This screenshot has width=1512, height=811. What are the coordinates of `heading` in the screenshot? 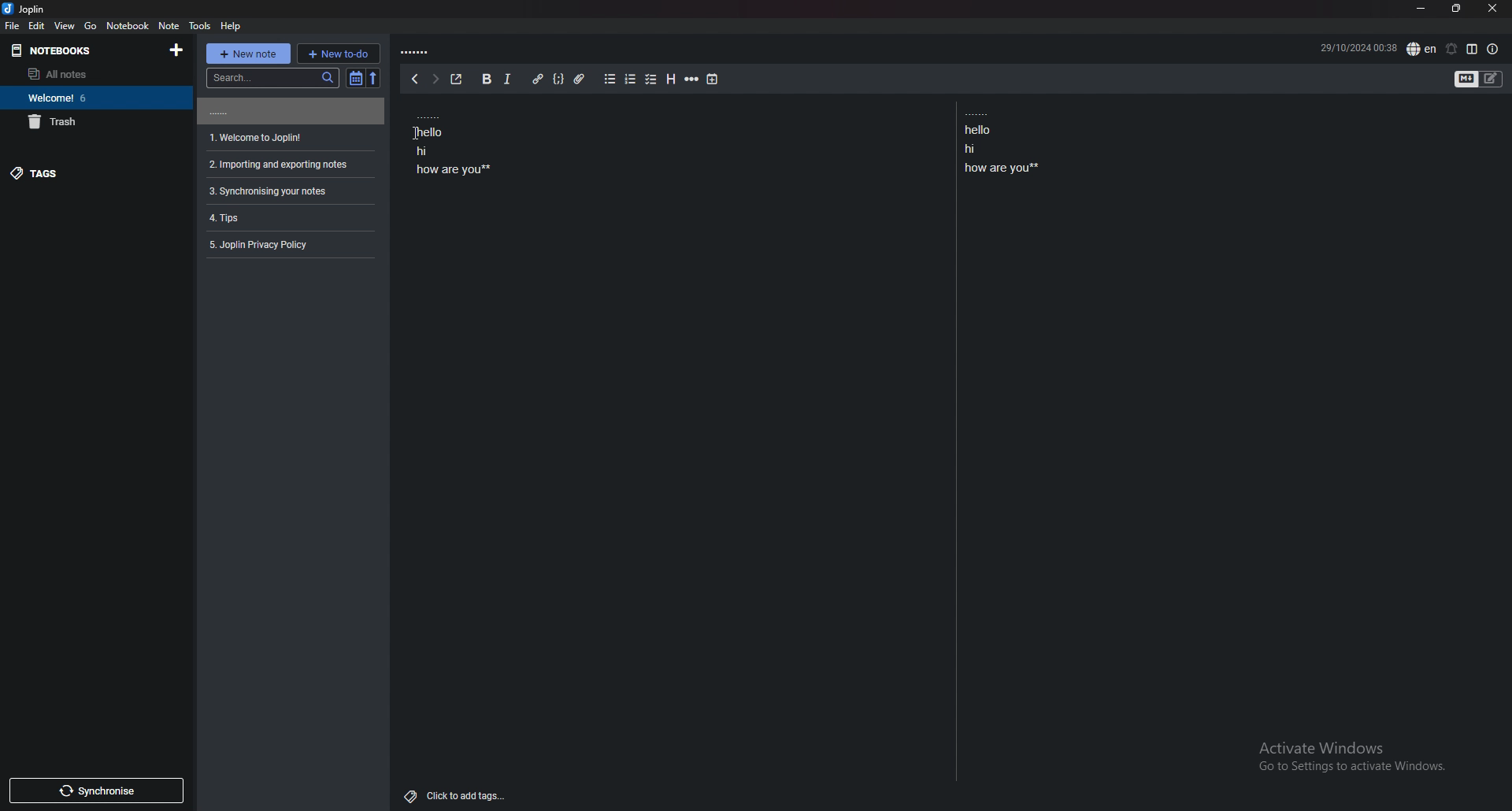 It's located at (670, 79).